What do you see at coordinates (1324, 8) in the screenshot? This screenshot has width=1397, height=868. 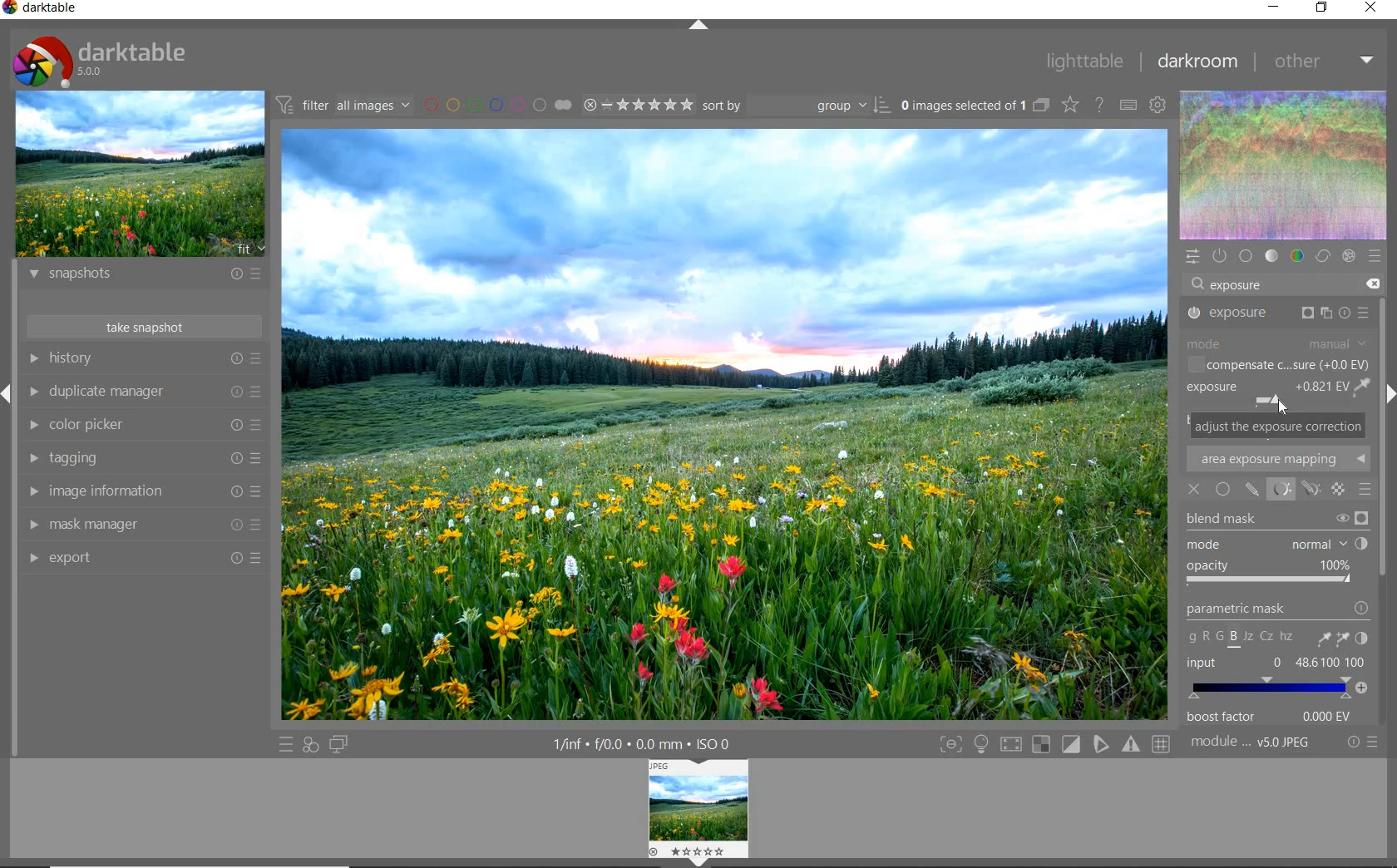 I see `restore` at bounding box center [1324, 8].